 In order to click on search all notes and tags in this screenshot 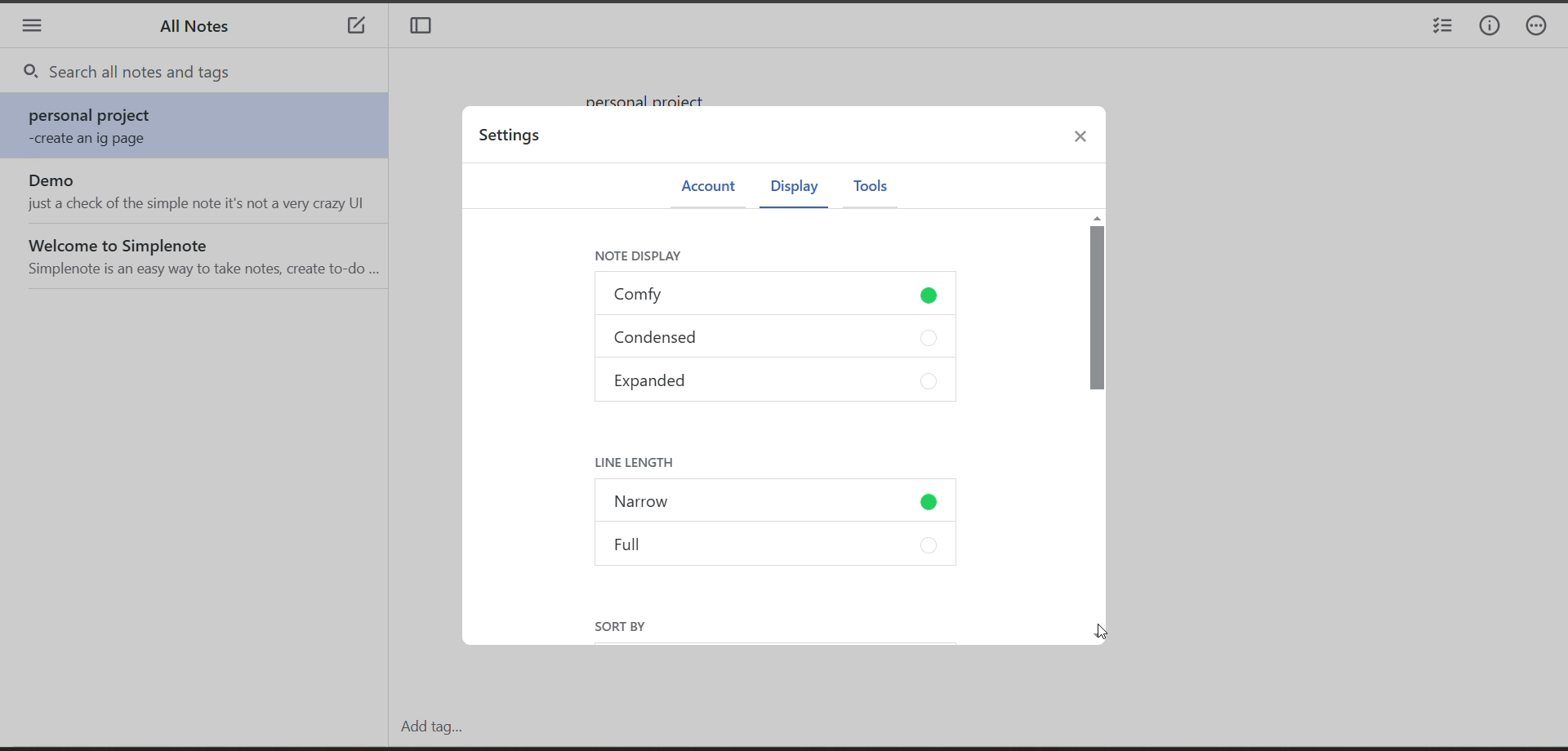, I will do `click(209, 73)`.